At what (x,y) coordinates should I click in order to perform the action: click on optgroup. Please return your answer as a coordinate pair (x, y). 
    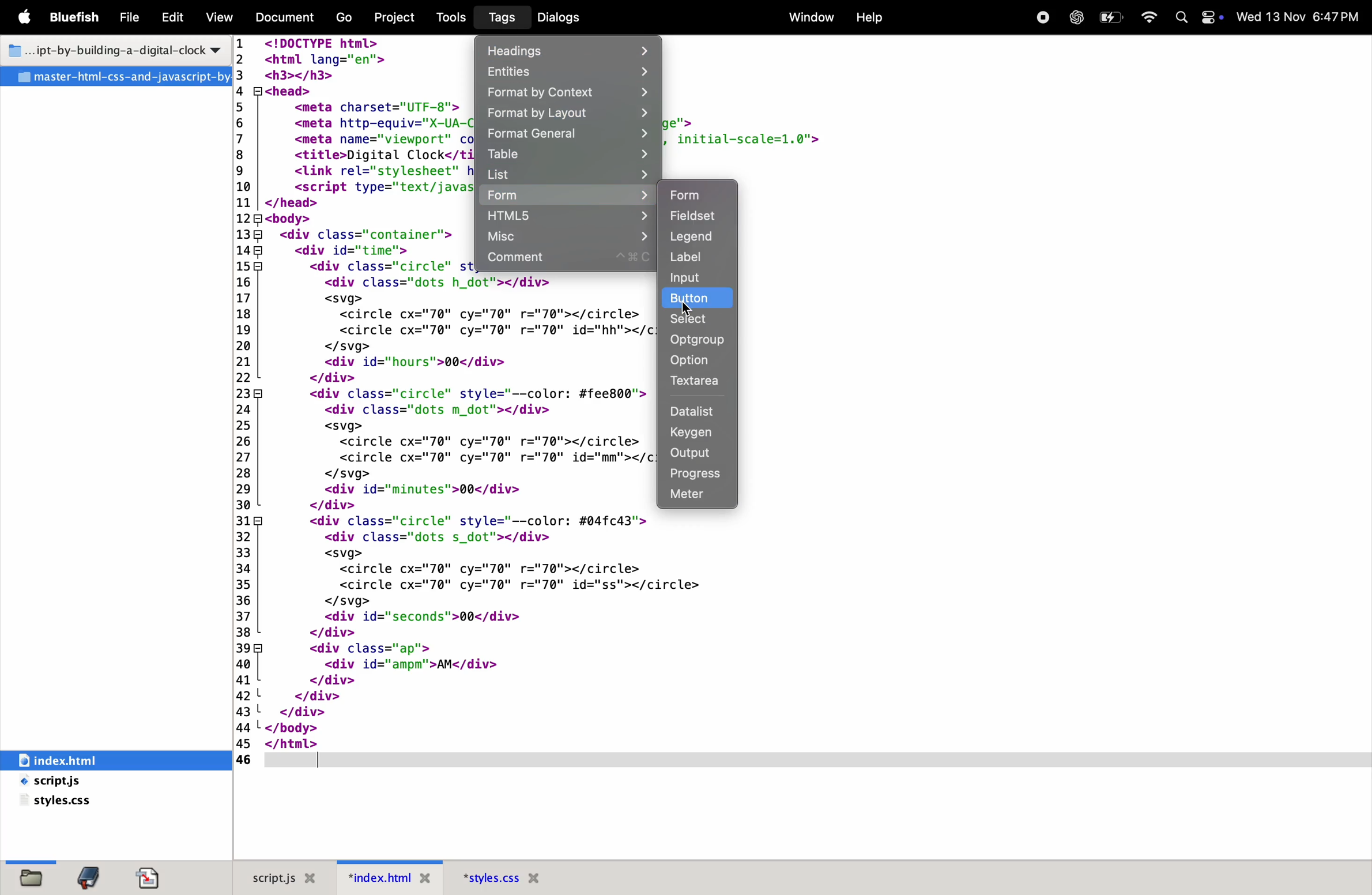
    Looking at the image, I should click on (698, 339).